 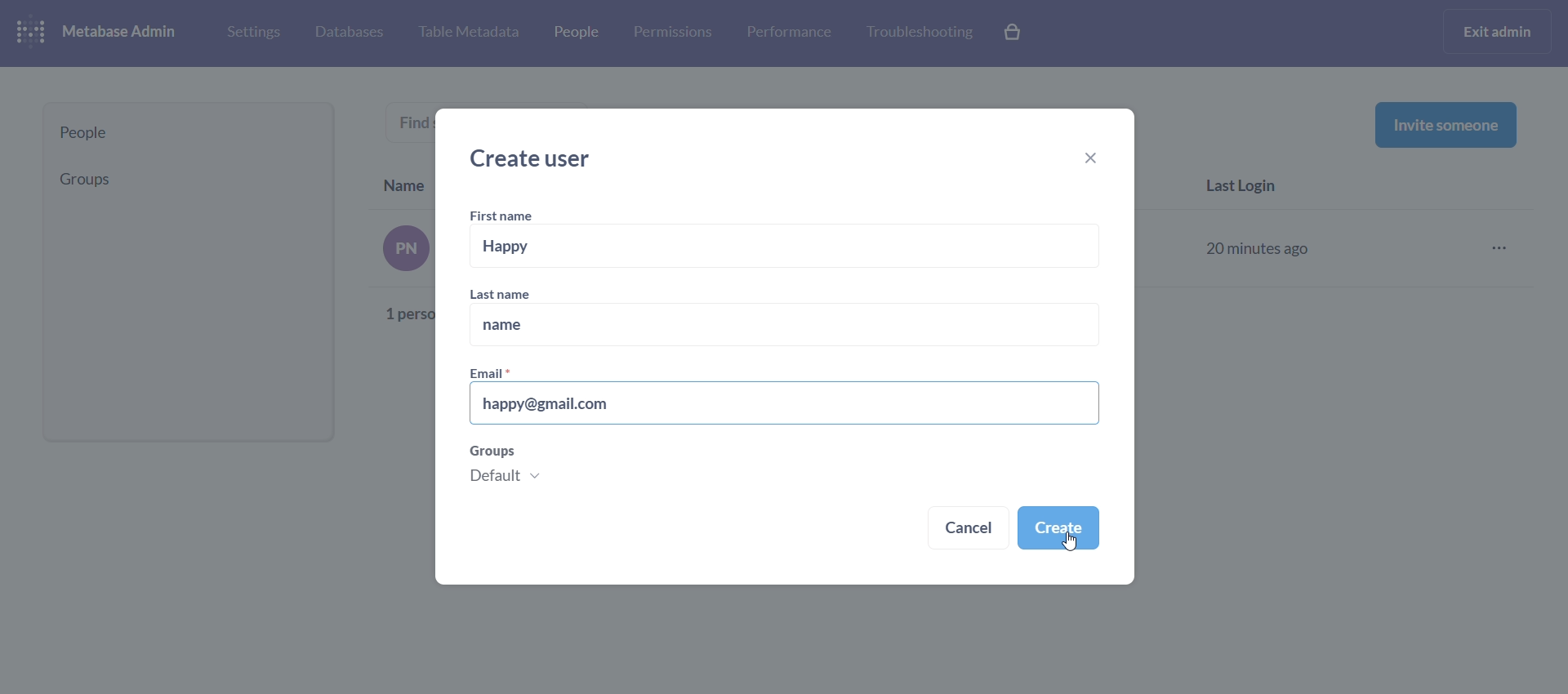 I want to click on troubleshooting, so click(x=918, y=33).